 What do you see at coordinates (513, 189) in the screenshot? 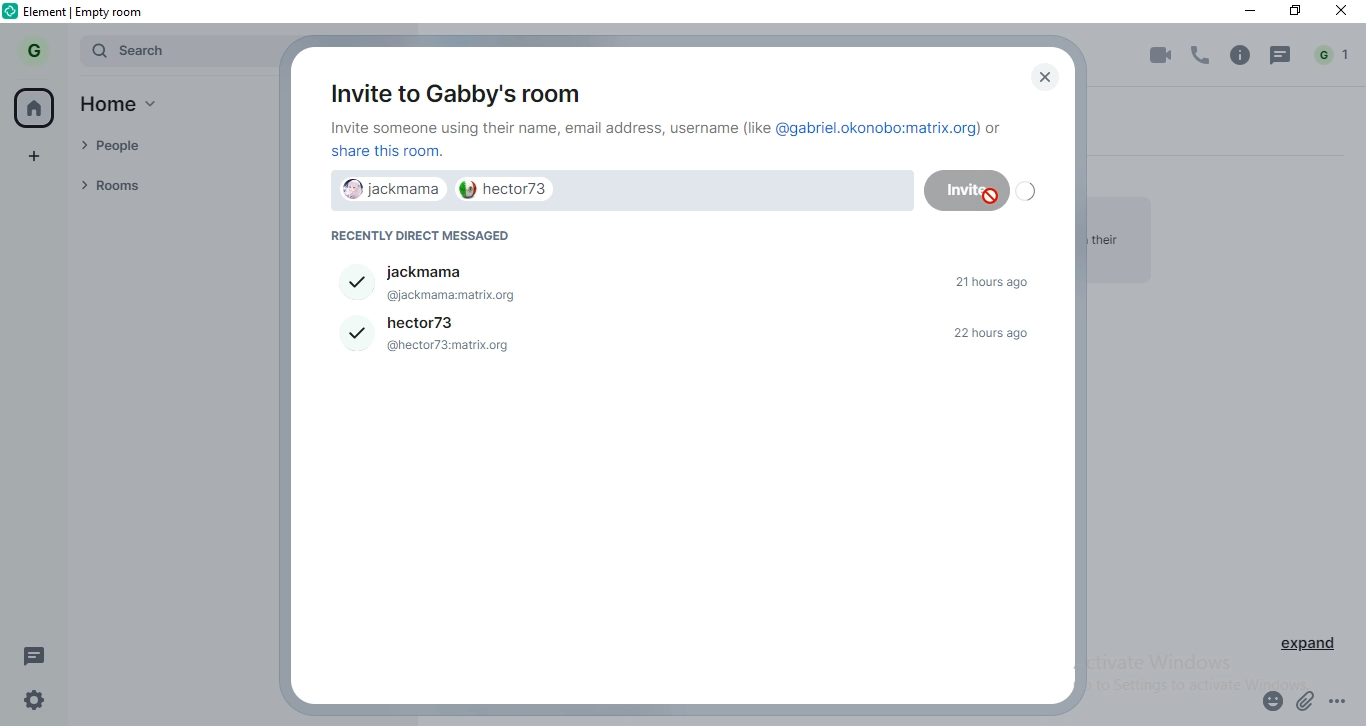
I see `hector73` at bounding box center [513, 189].